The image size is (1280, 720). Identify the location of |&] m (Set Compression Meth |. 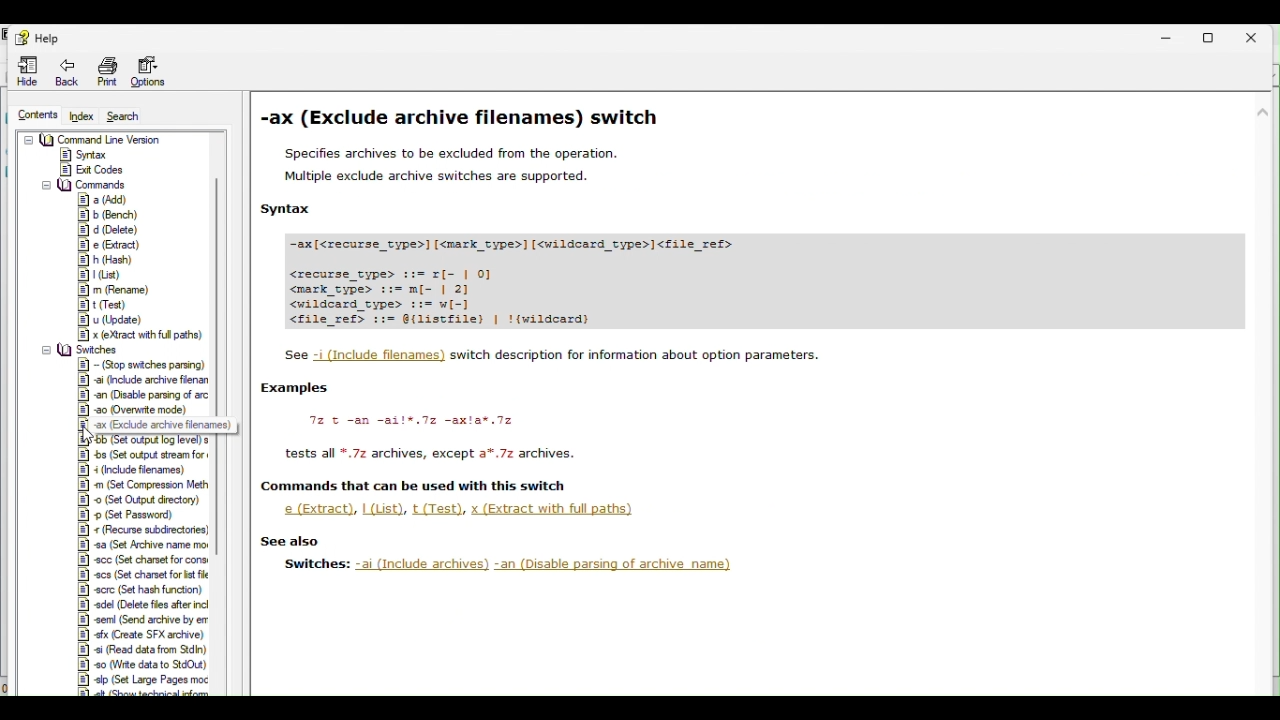
(146, 485).